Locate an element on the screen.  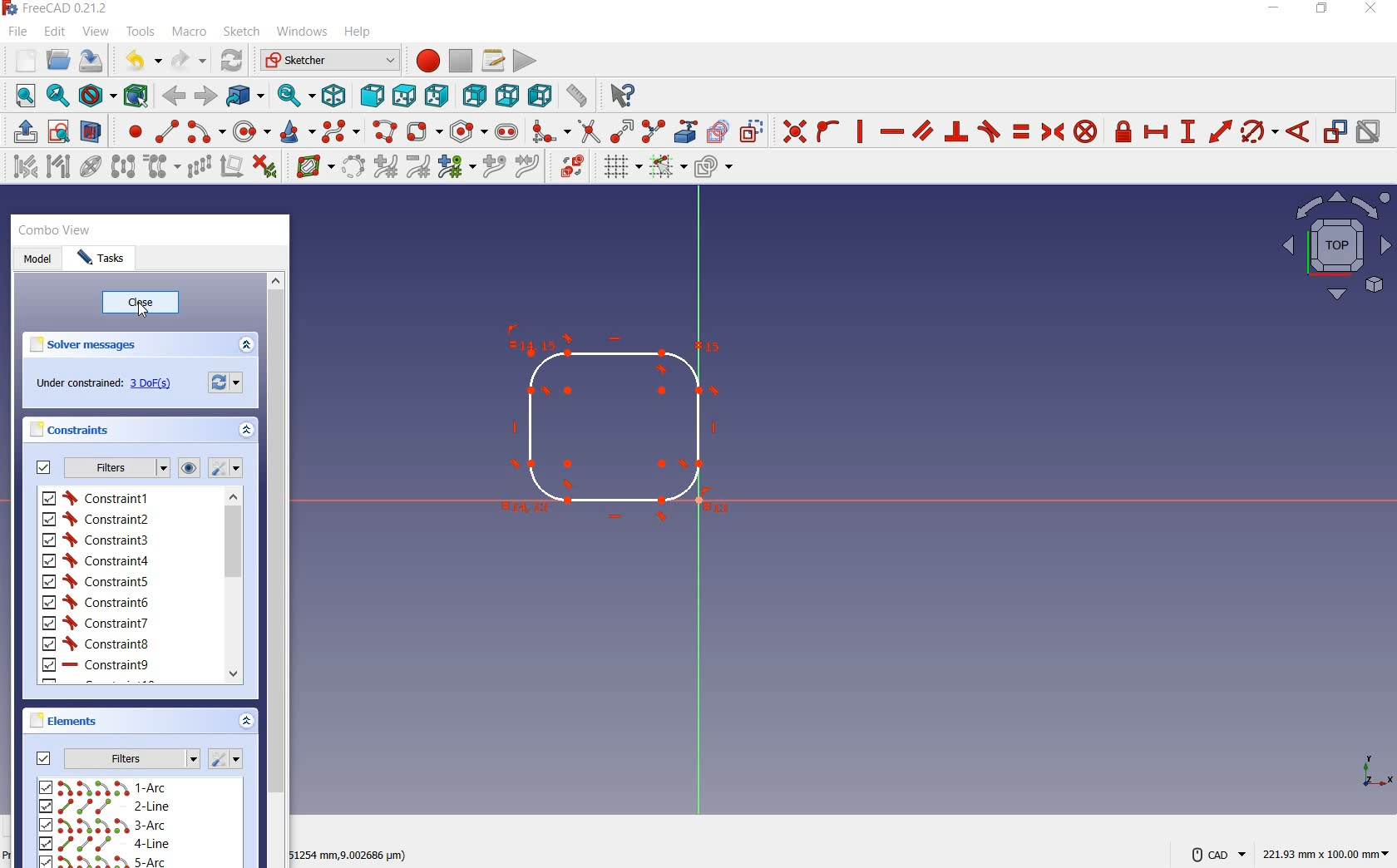
CAD Navigation Style is located at coordinates (1218, 851).